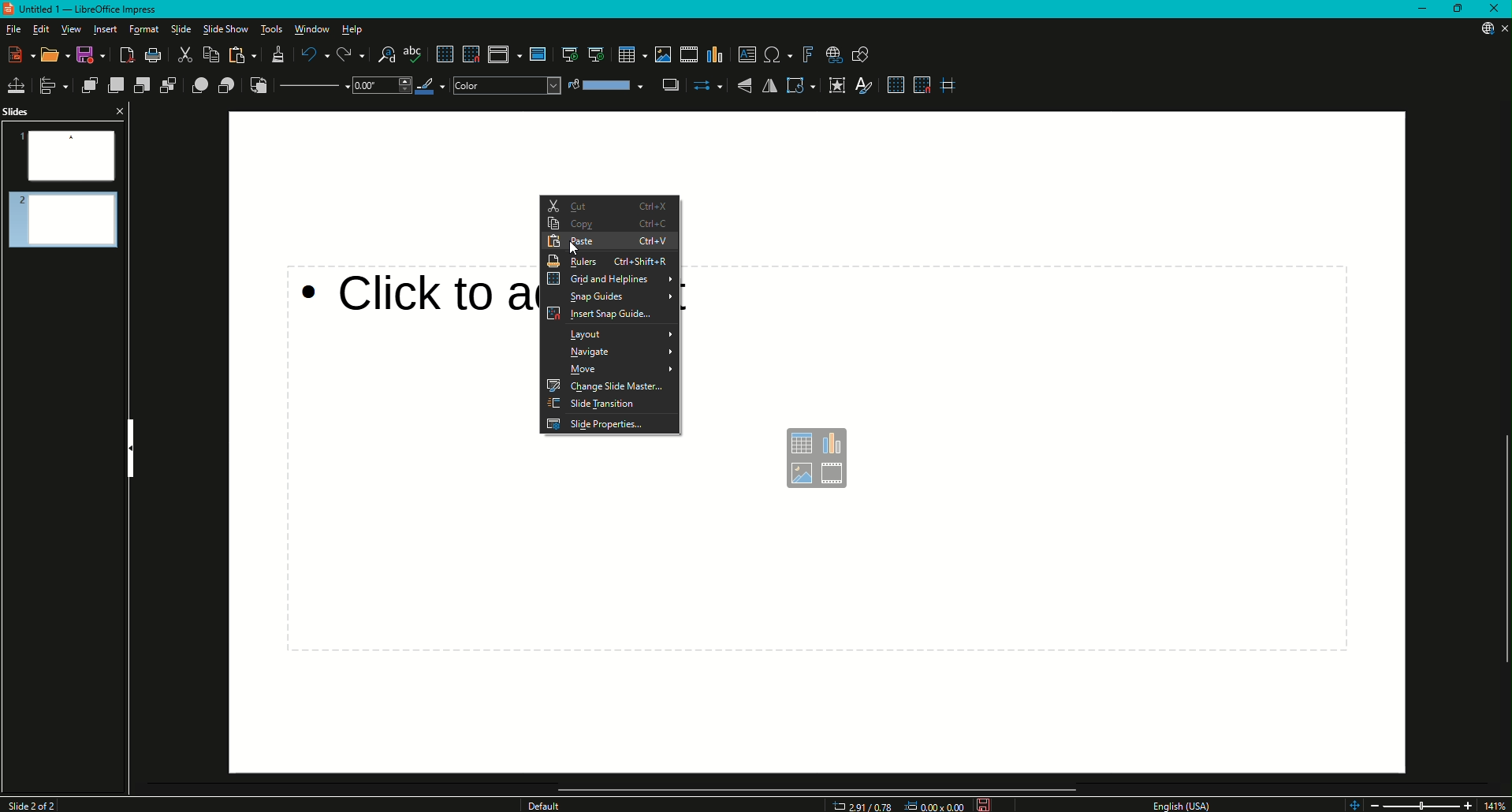 Image resolution: width=1512 pixels, height=812 pixels. Describe the element at coordinates (311, 54) in the screenshot. I see `Undo` at that location.